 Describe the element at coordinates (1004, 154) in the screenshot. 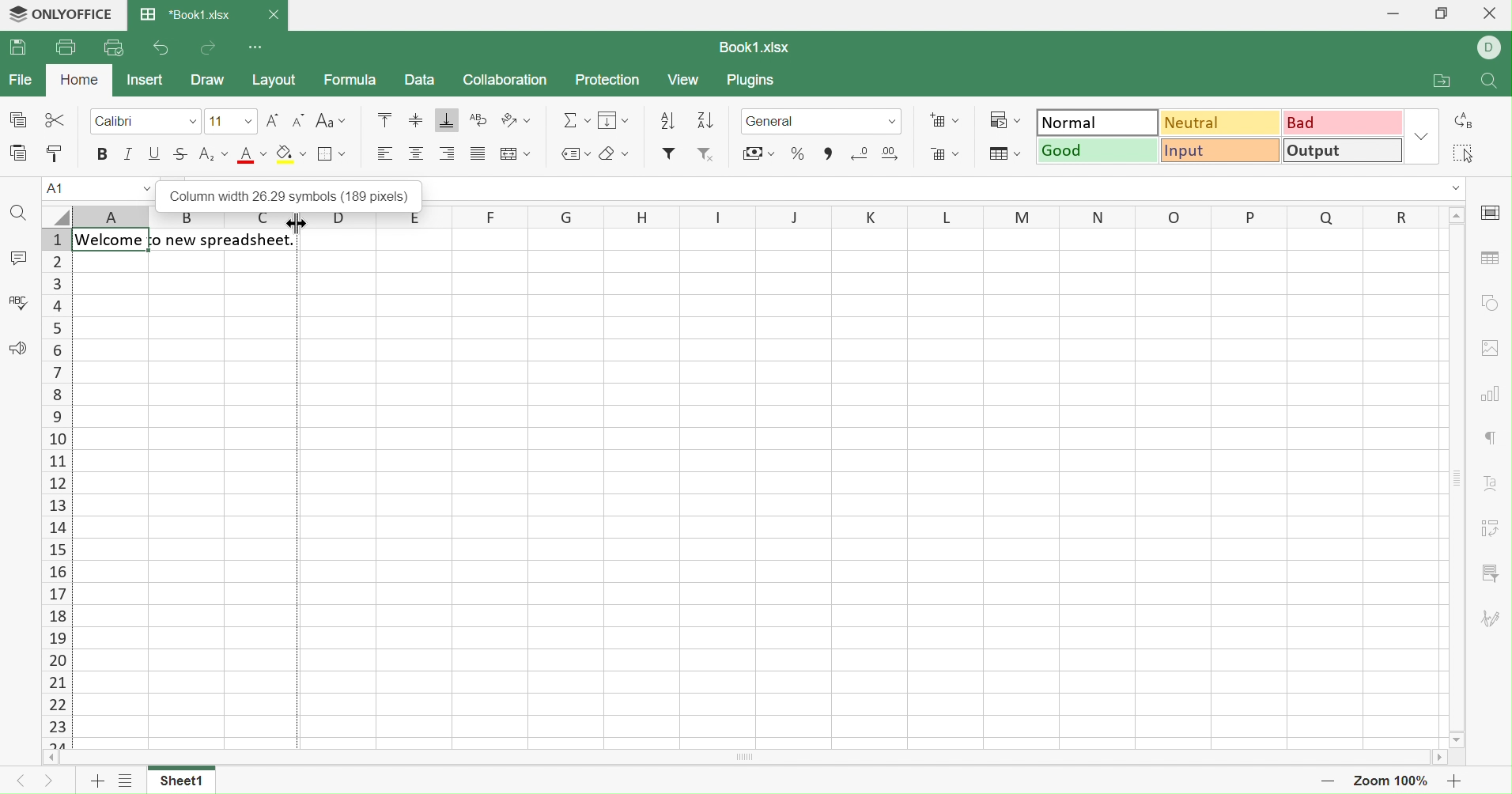

I see `Format as table template` at that location.